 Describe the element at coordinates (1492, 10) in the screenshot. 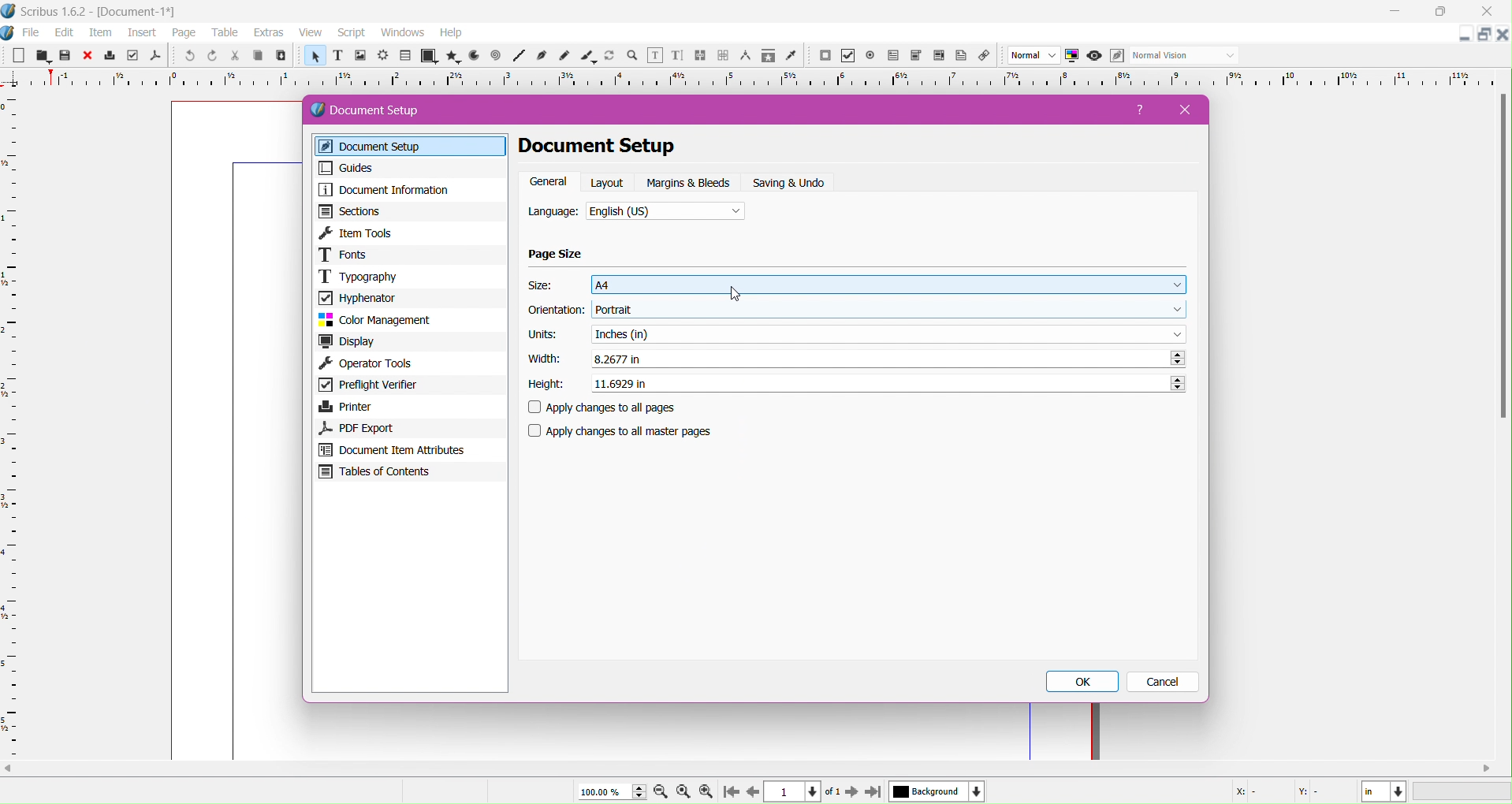

I see `close app` at that location.